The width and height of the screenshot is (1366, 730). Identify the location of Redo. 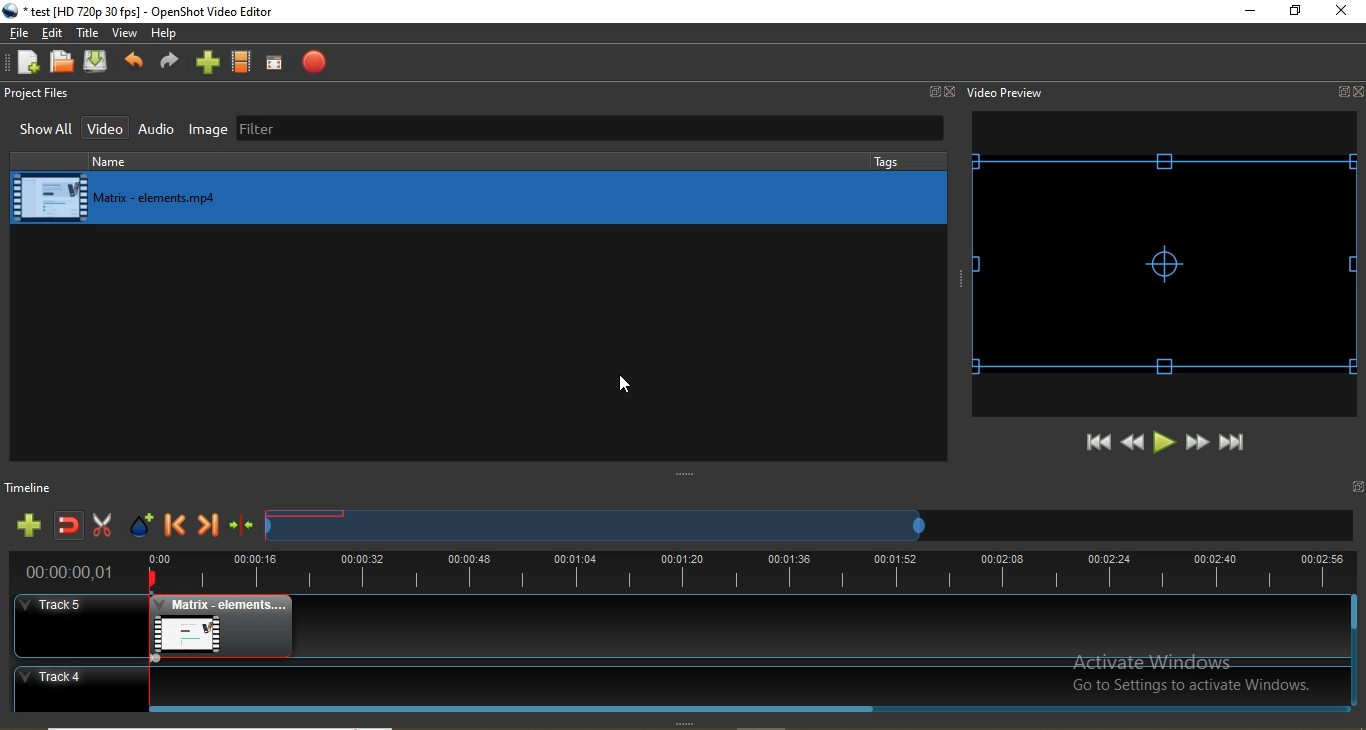
(169, 65).